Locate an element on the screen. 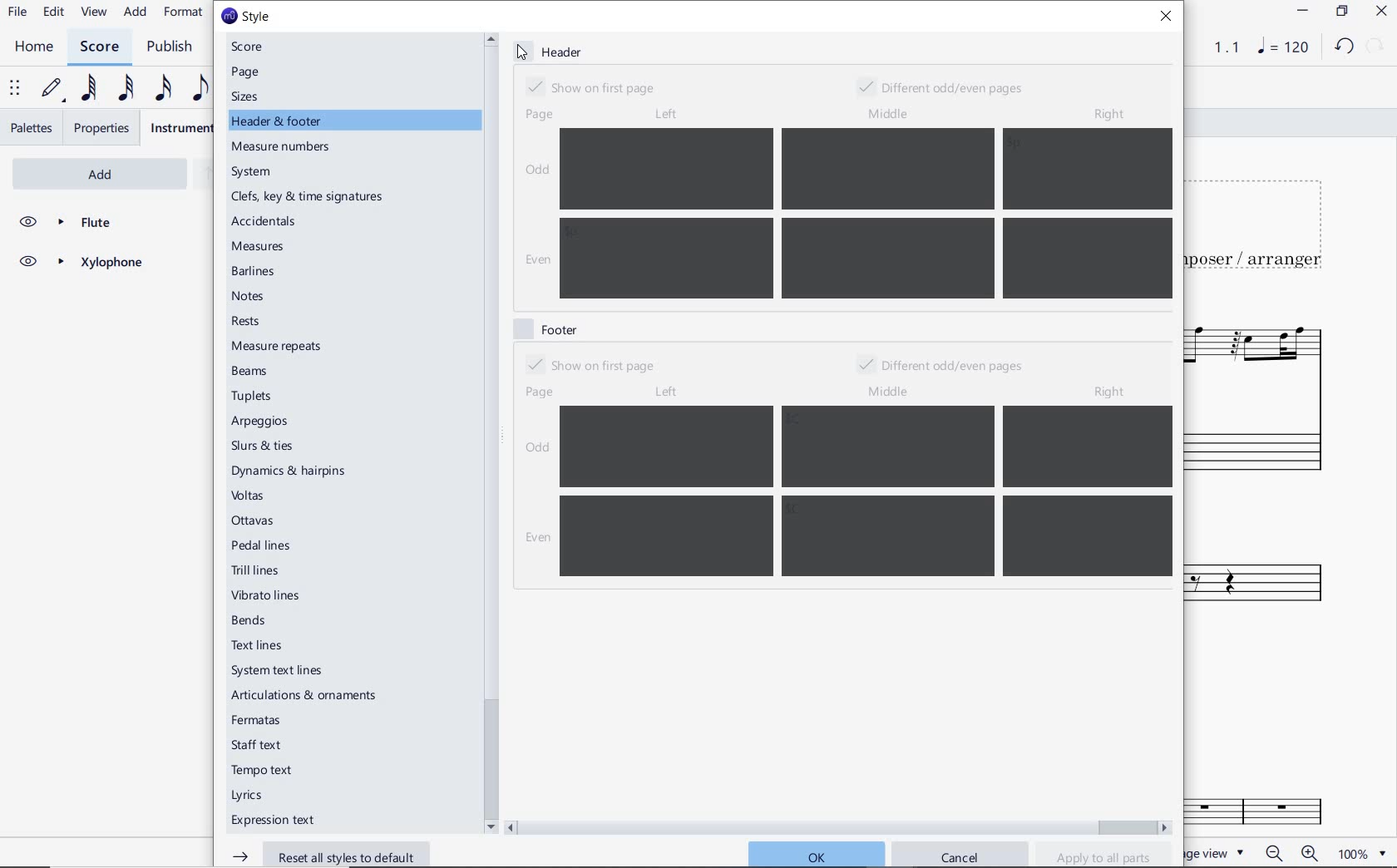 The height and width of the screenshot is (868, 1397). bends is located at coordinates (252, 621).